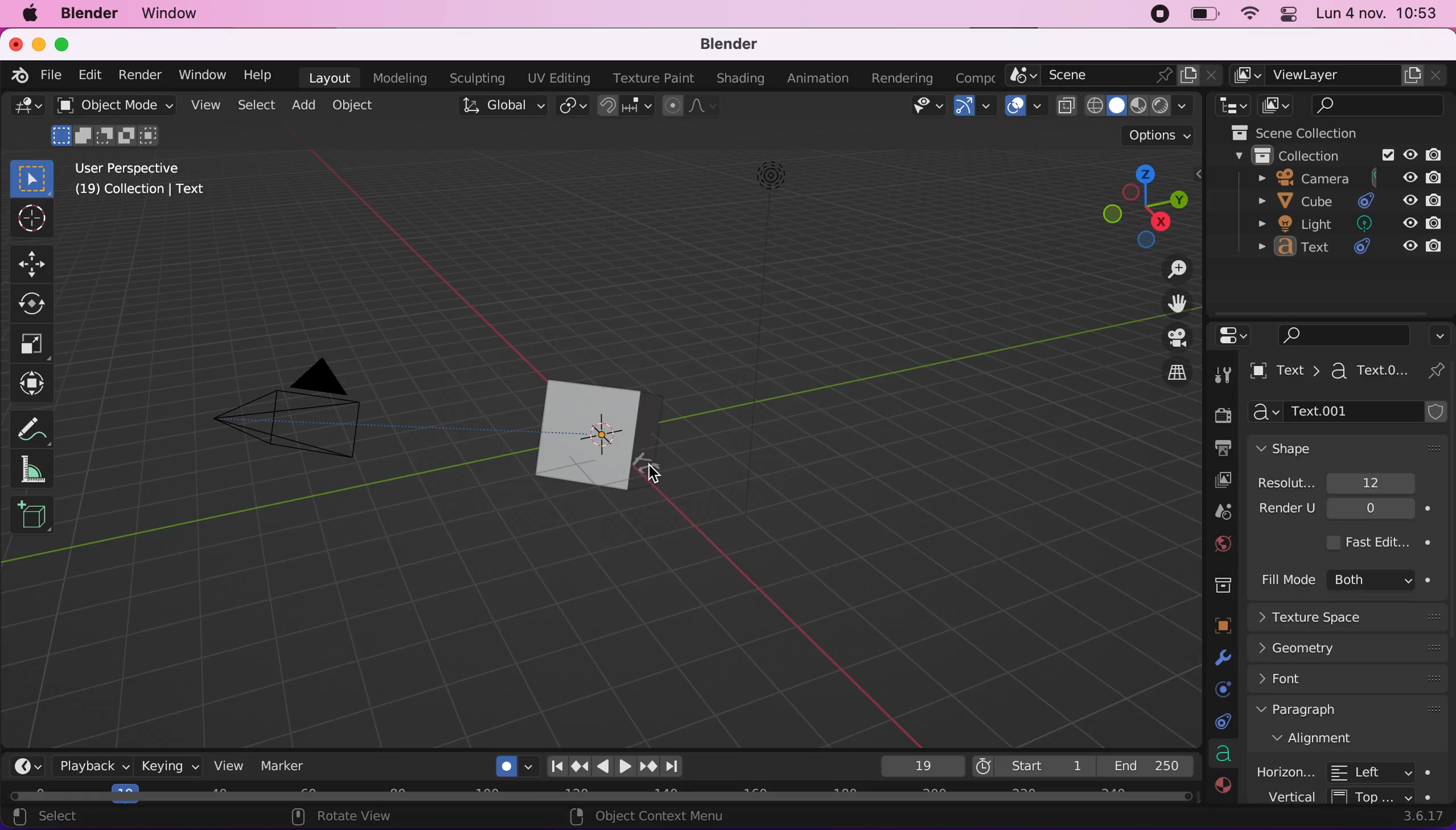 Image resolution: width=1456 pixels, height=830 pixels. I want to click on close, so click(17, 44).